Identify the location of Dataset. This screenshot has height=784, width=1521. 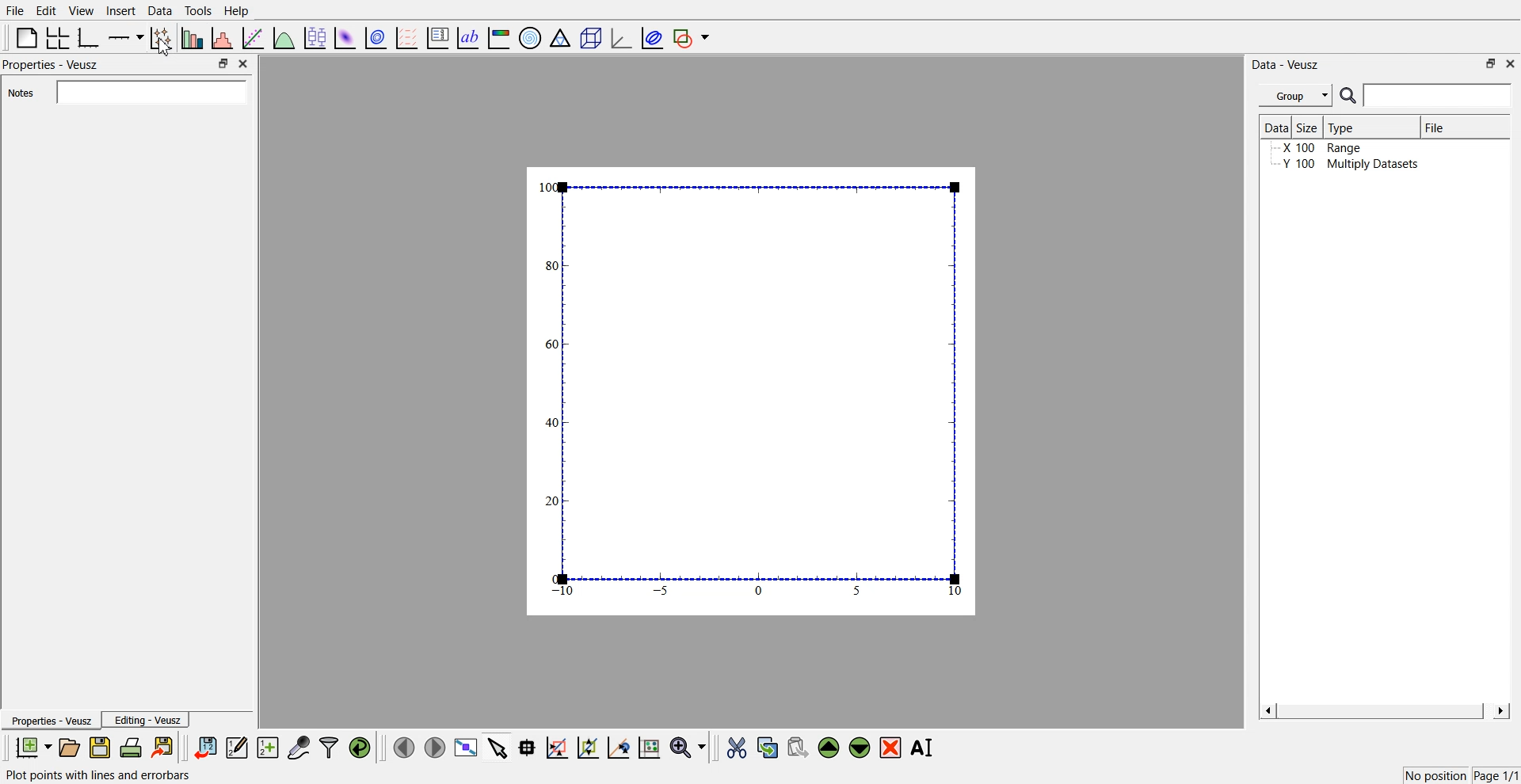
(1275, 128).